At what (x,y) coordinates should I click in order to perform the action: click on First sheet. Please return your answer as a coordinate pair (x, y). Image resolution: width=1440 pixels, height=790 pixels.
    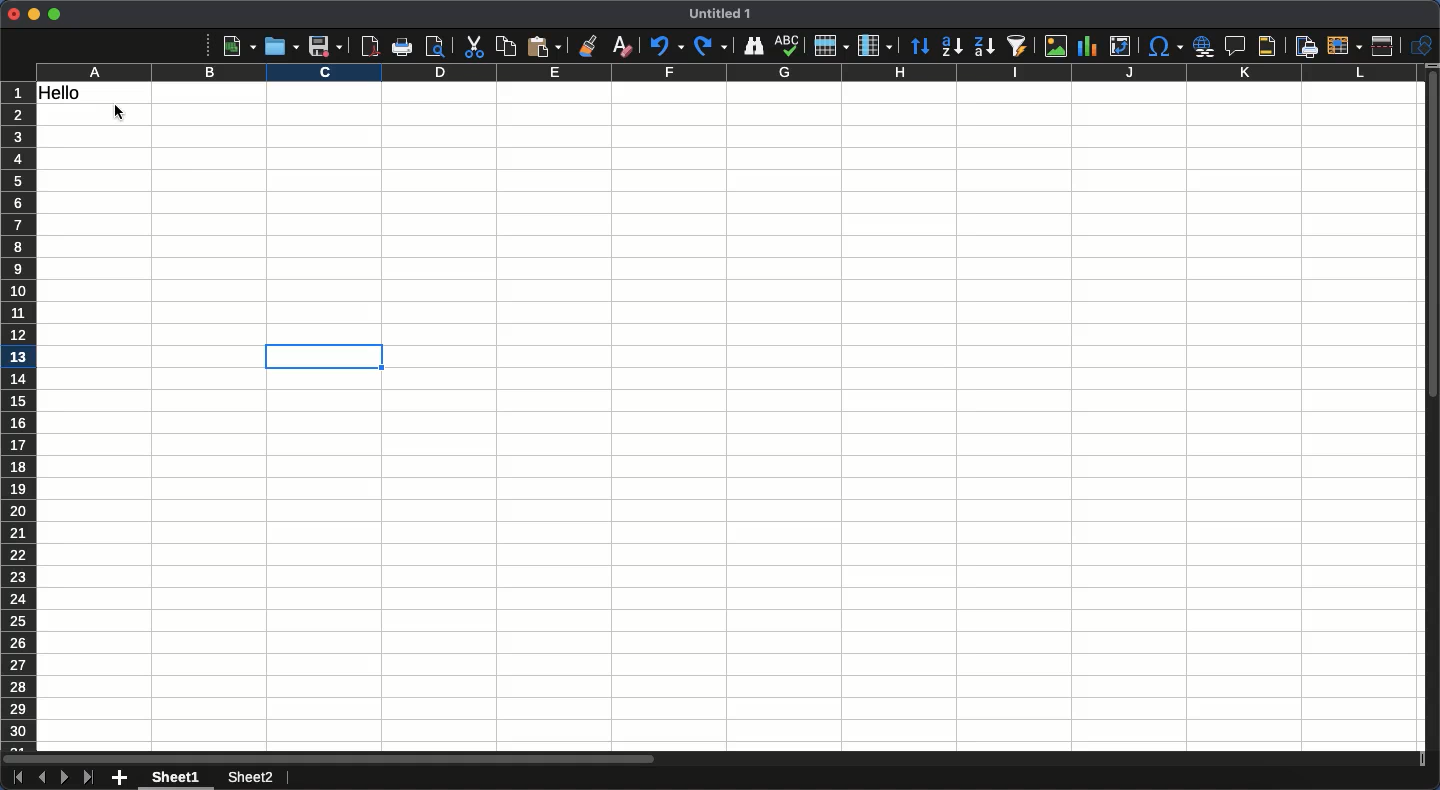
    Looking at the image, I should click on (16, 778).